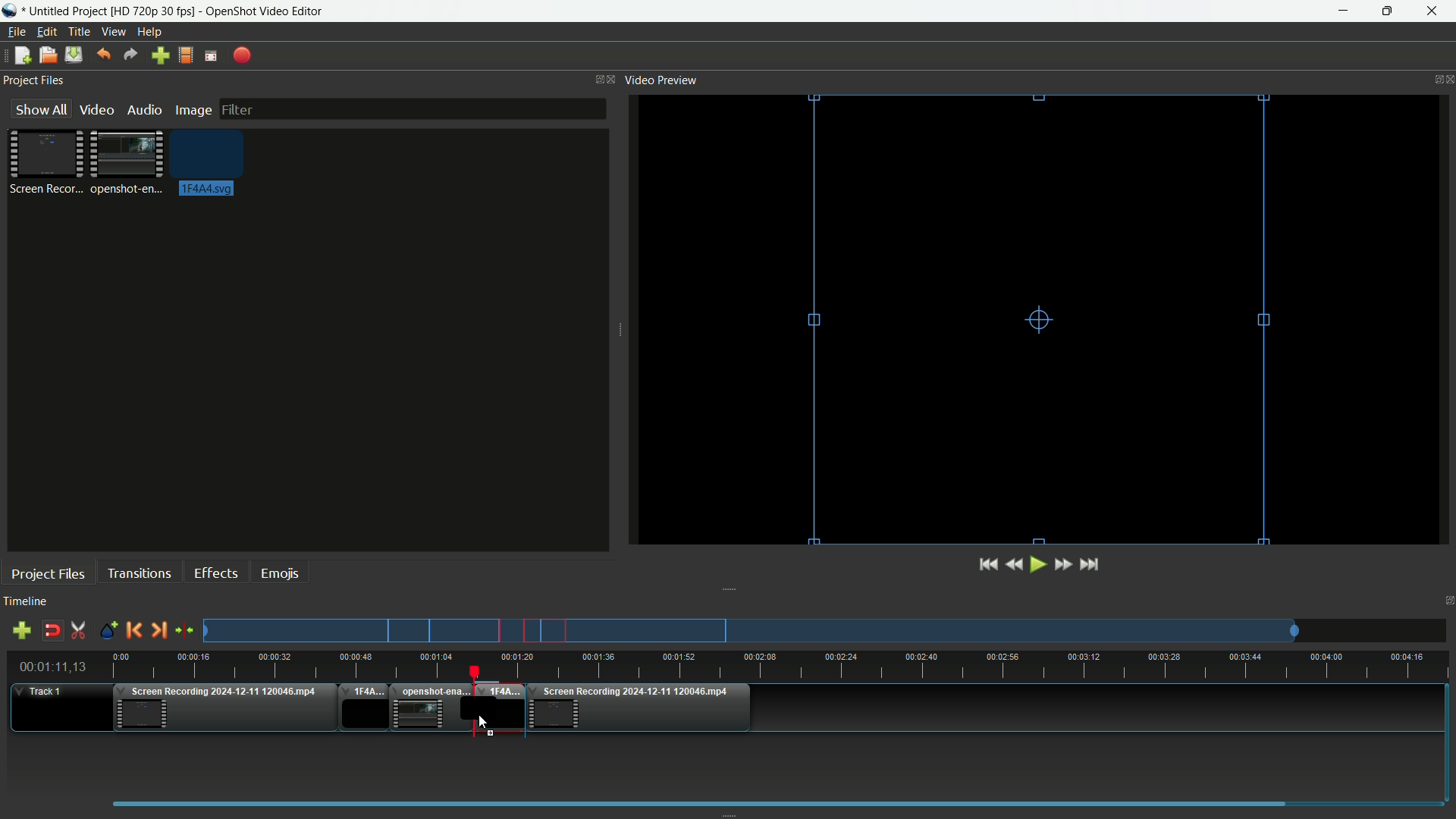 The width and height of the screenshot is (1456, 819). Describe the element at coordinates (428, 708) in the screenshot. I see `Video two in timeline` at that location.